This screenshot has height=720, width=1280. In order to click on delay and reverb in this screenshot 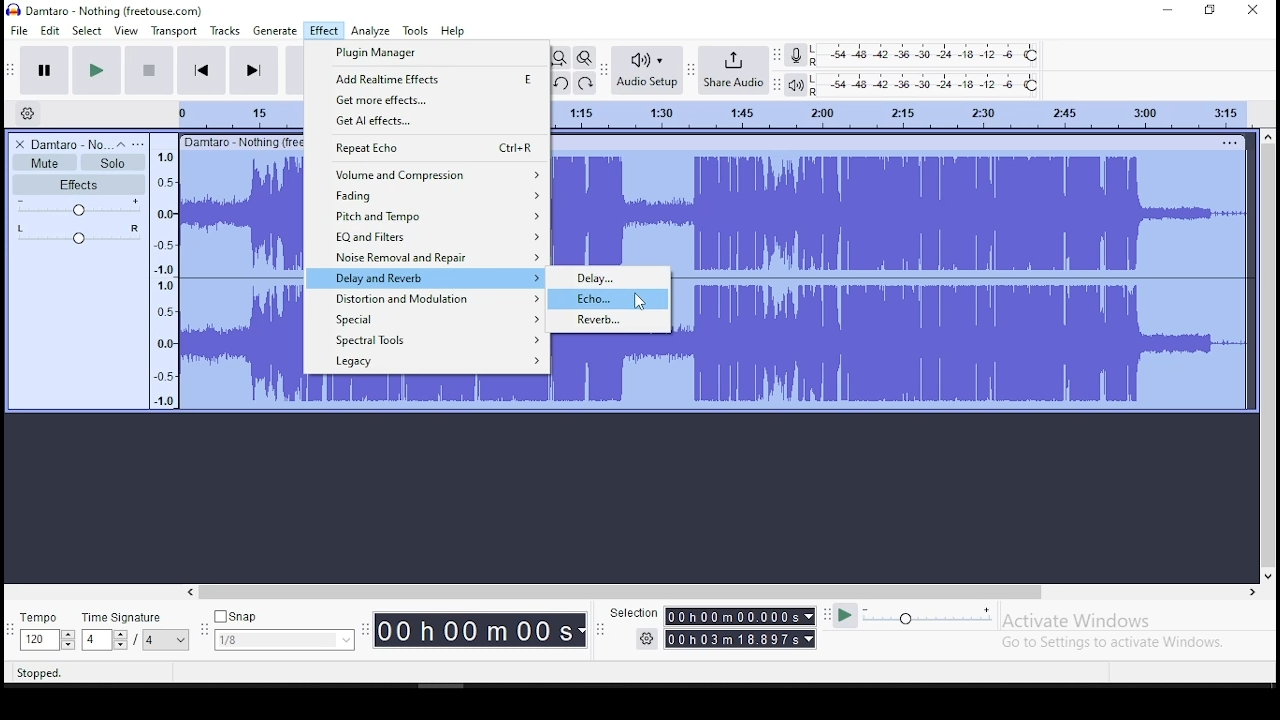, I will do `click(425, 277)`.